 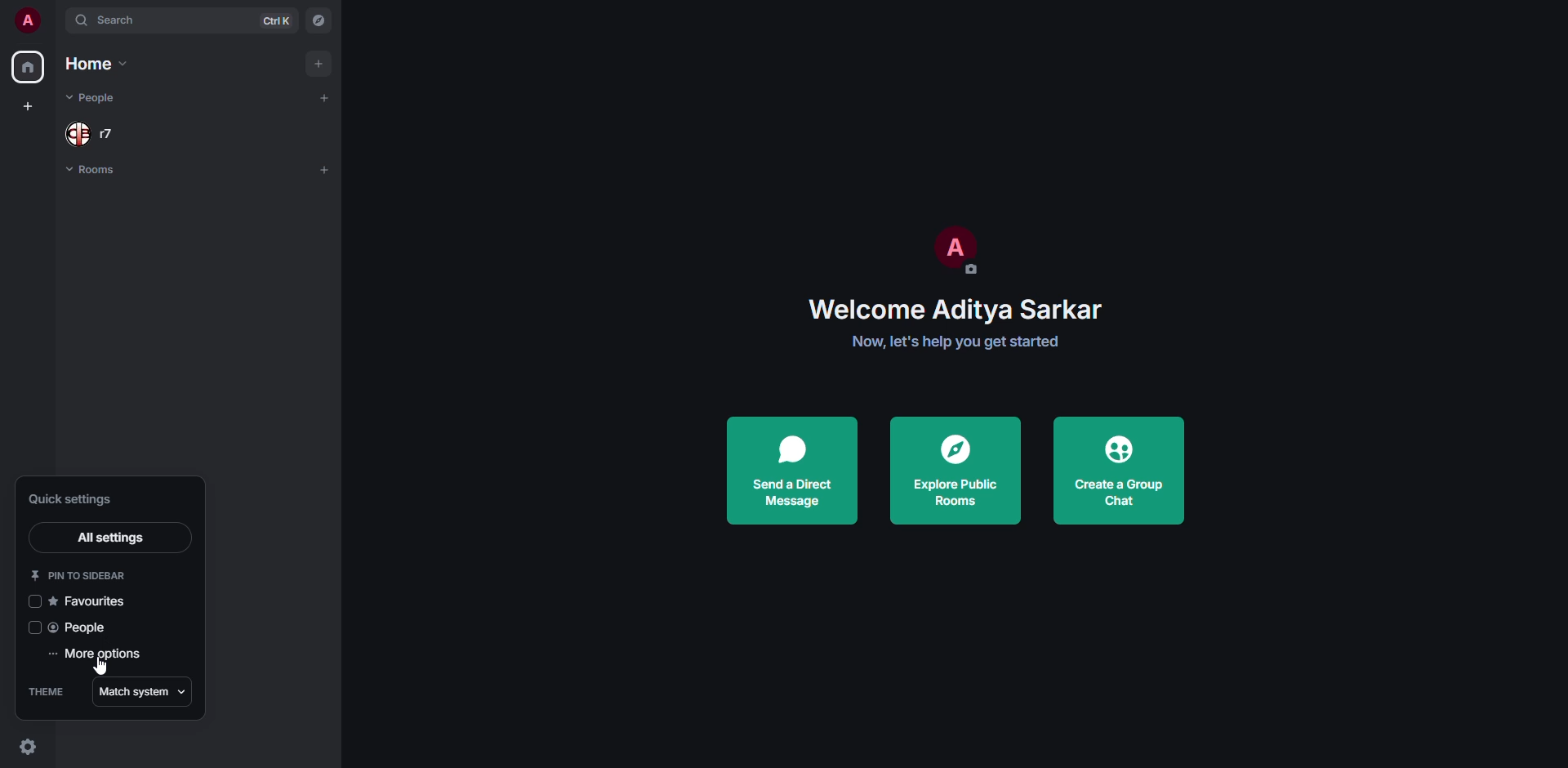 I want to click on welcome, so click(x=955, y=306).